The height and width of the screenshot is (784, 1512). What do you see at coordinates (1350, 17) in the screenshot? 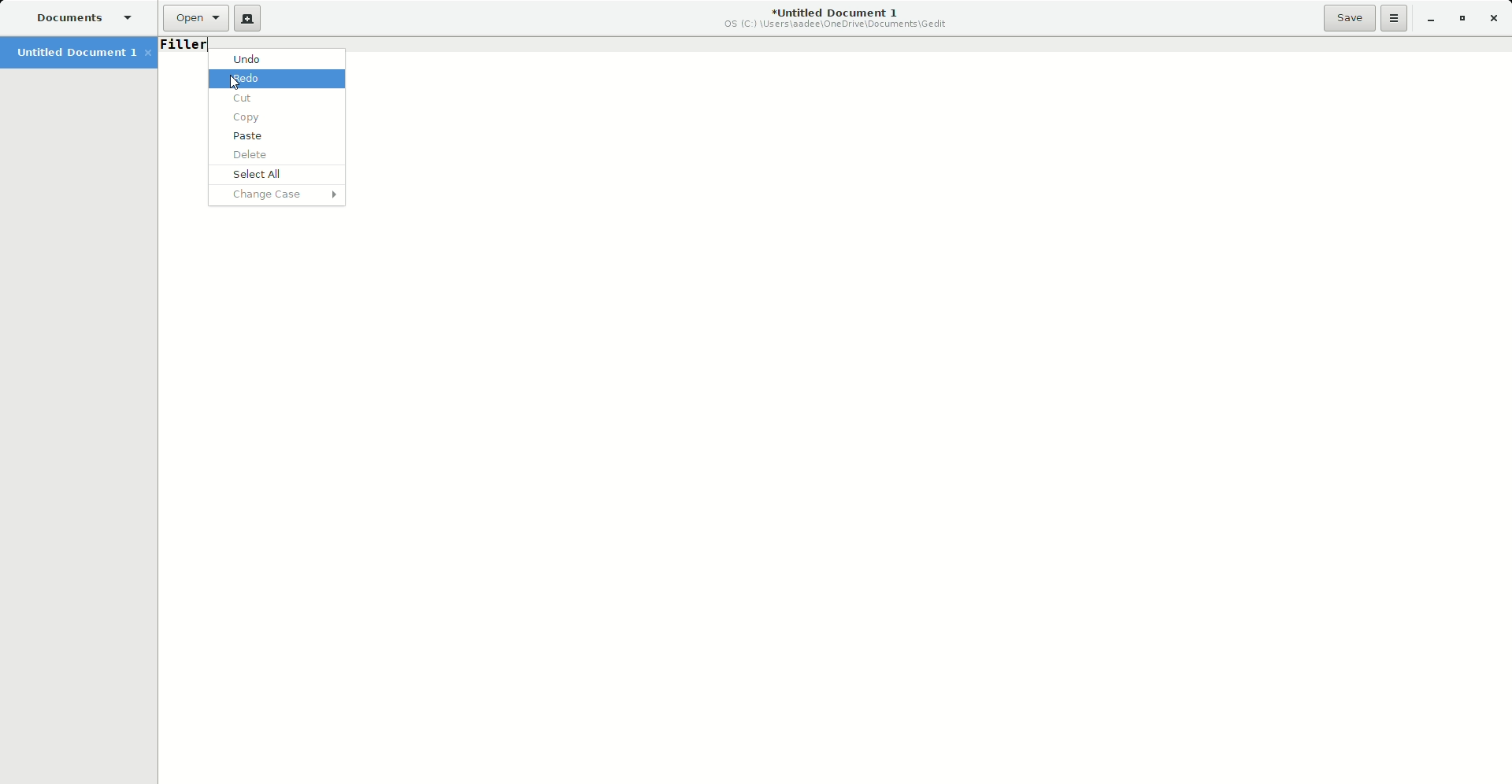
I see `Save` at bounding box center [1350, 17].